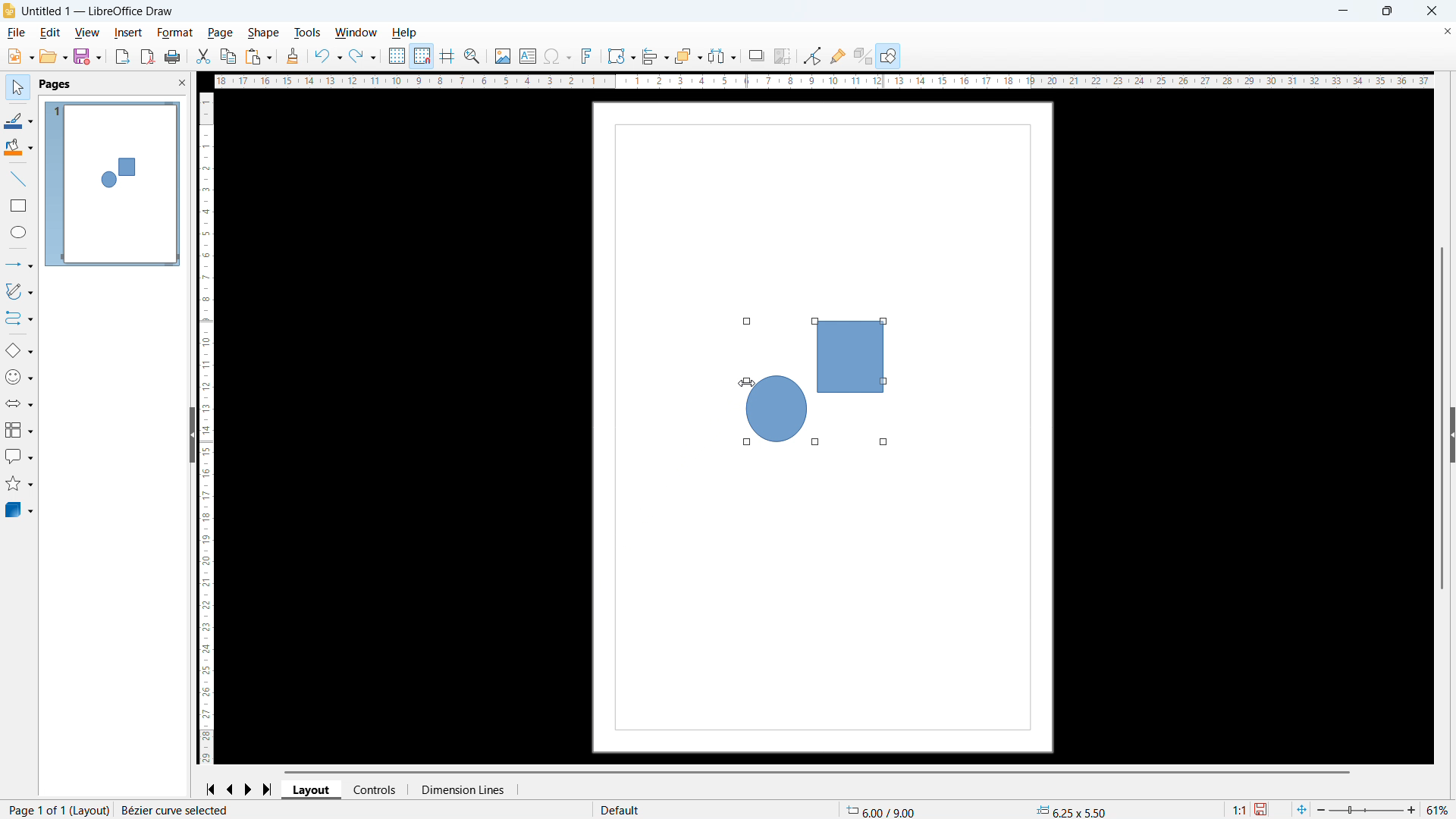  What do you see at coordinates (1387, 11) in the screenshot?
I see `Maximise ` at bounding box center [1387, 11].